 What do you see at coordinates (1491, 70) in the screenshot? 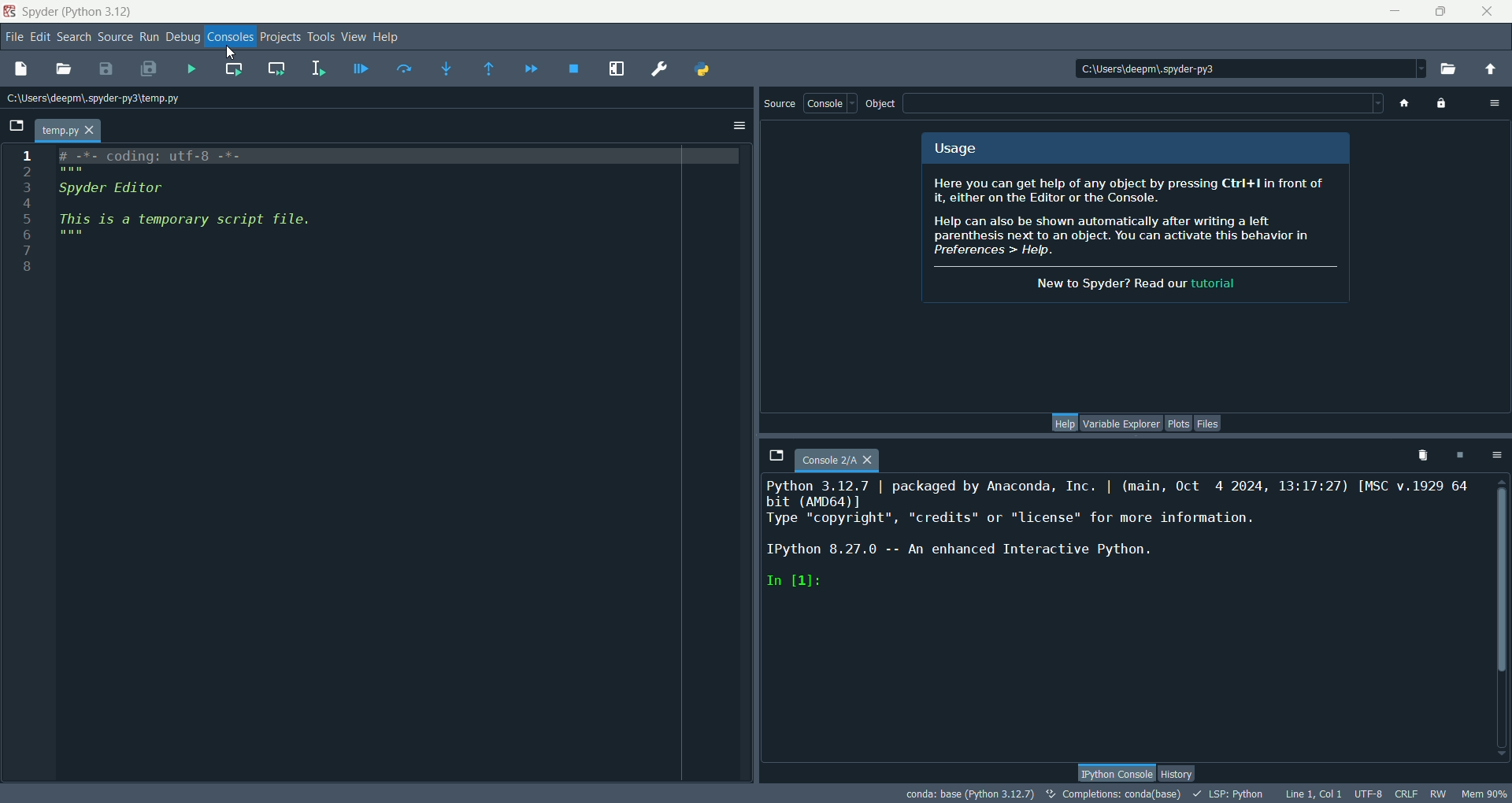
I see `parent directory` at bounding box center [1491, 70].